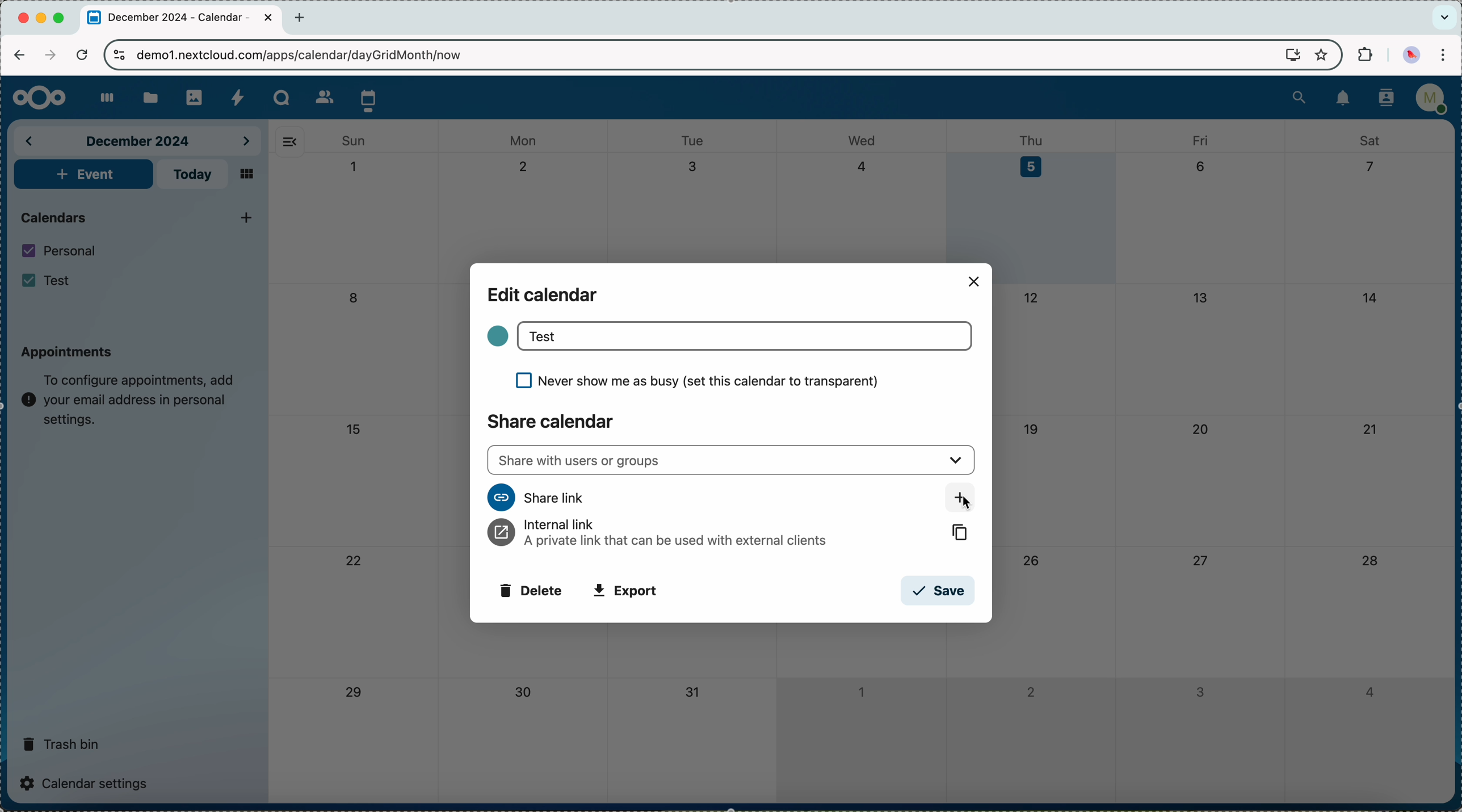 The image size is (1462, 812). What do you see at coordinates (247, 175) in the screenshot?
I see `mosaic view` at bounding box center [247, 175].